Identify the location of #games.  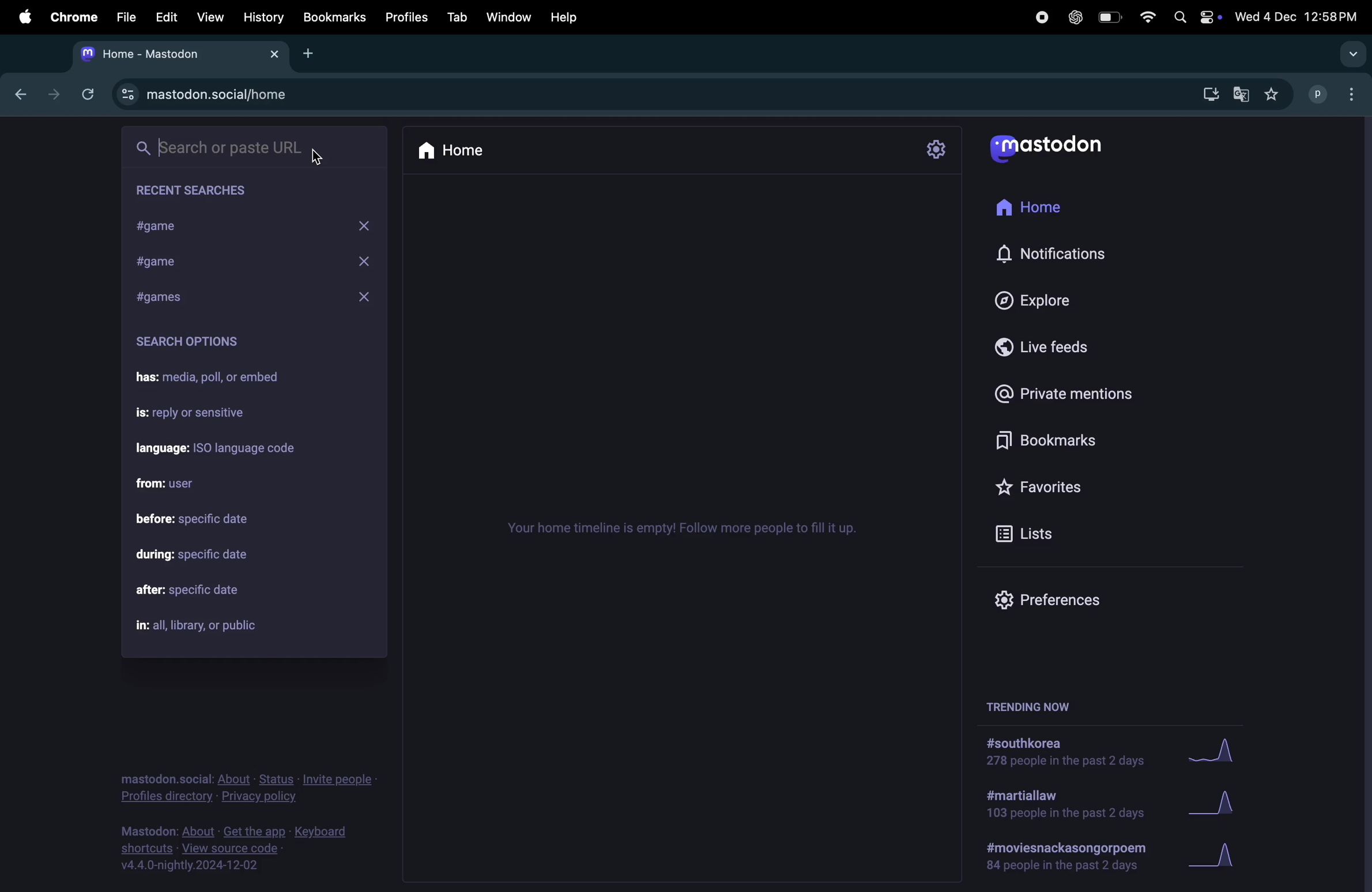
(181, 295).